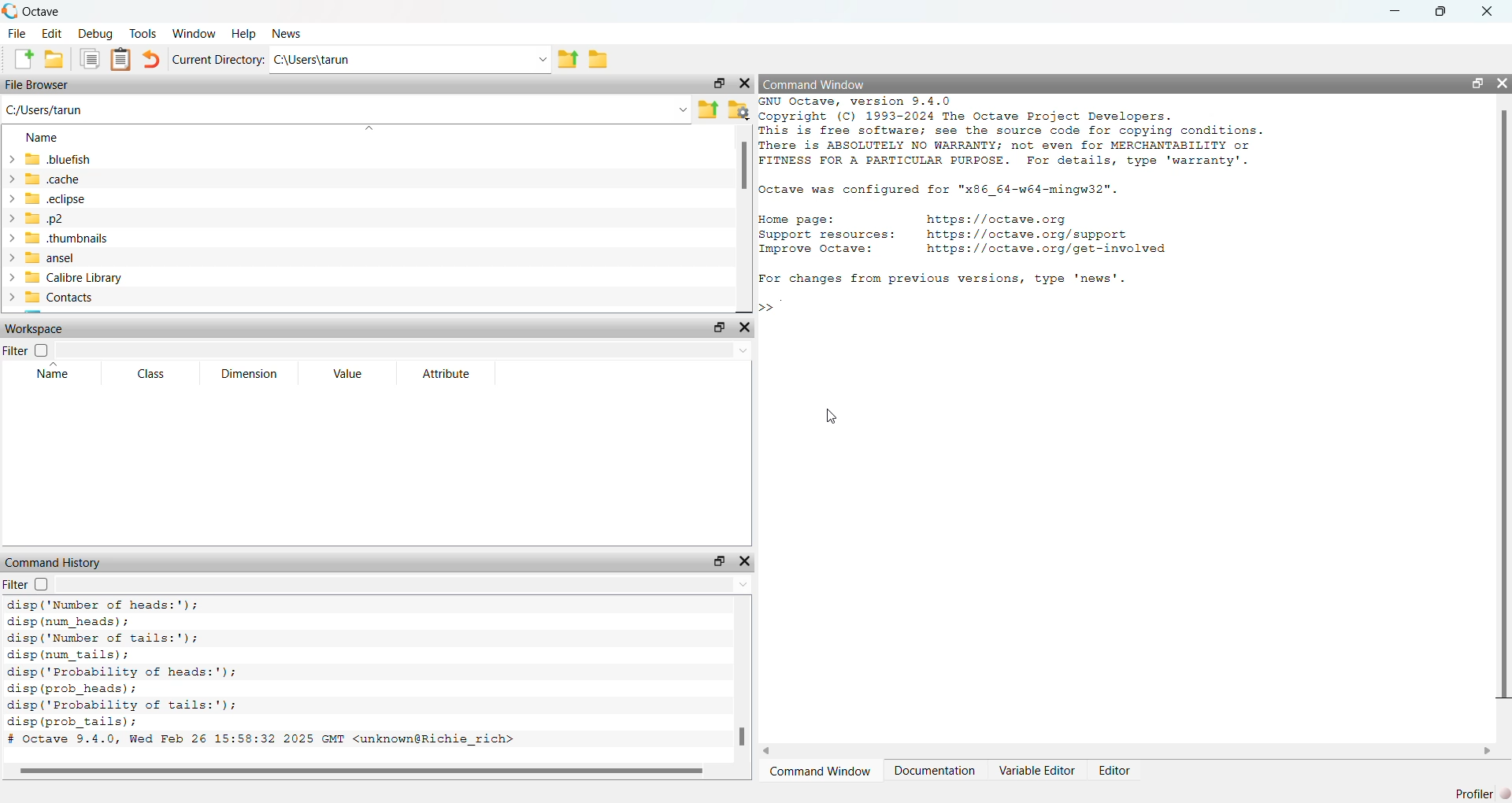 This screenshot has width=1512, height=803. I want to click on Name, so click(49, 375).